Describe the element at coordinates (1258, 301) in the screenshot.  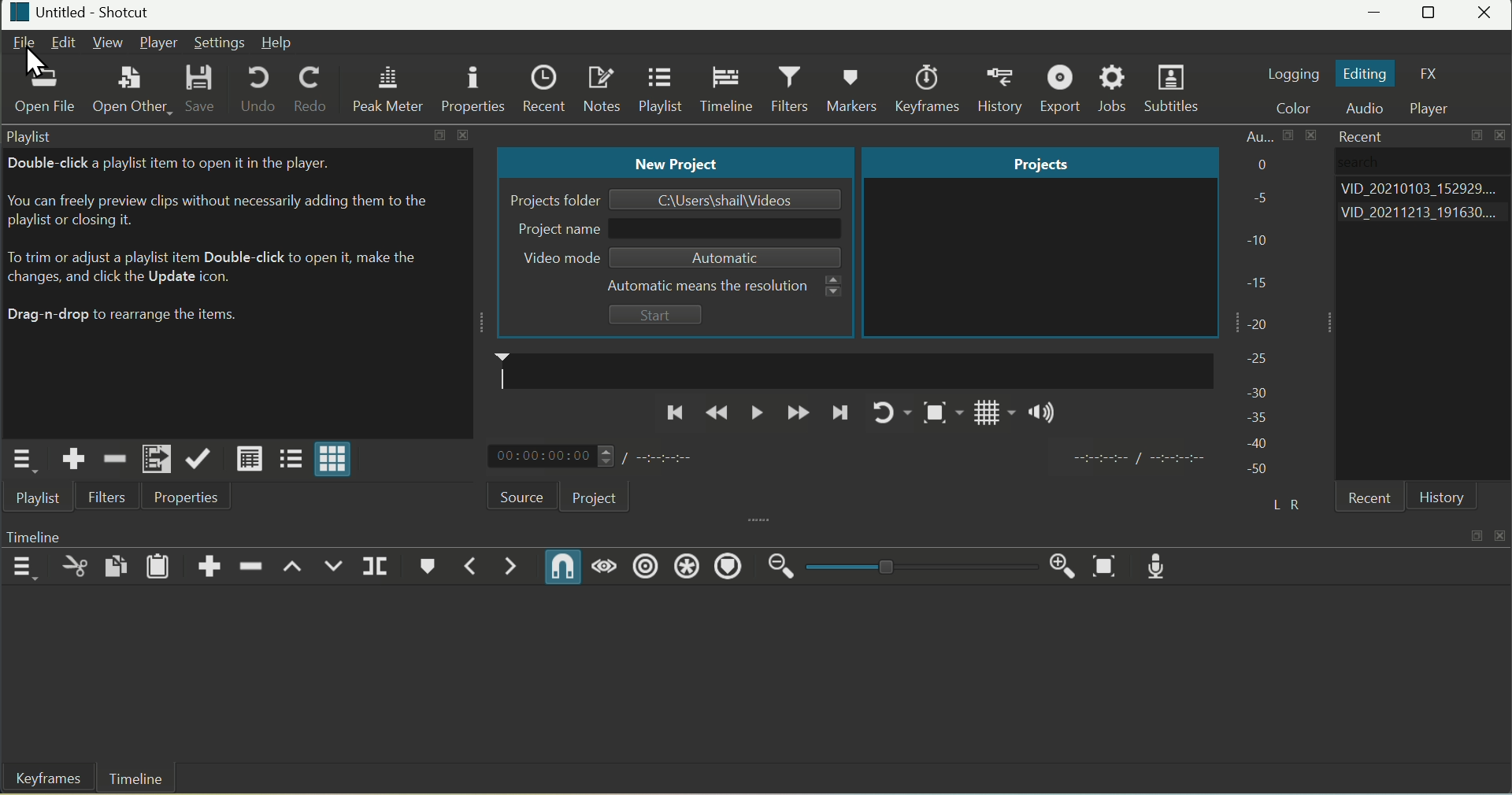
I see `Audio bar` at that location.